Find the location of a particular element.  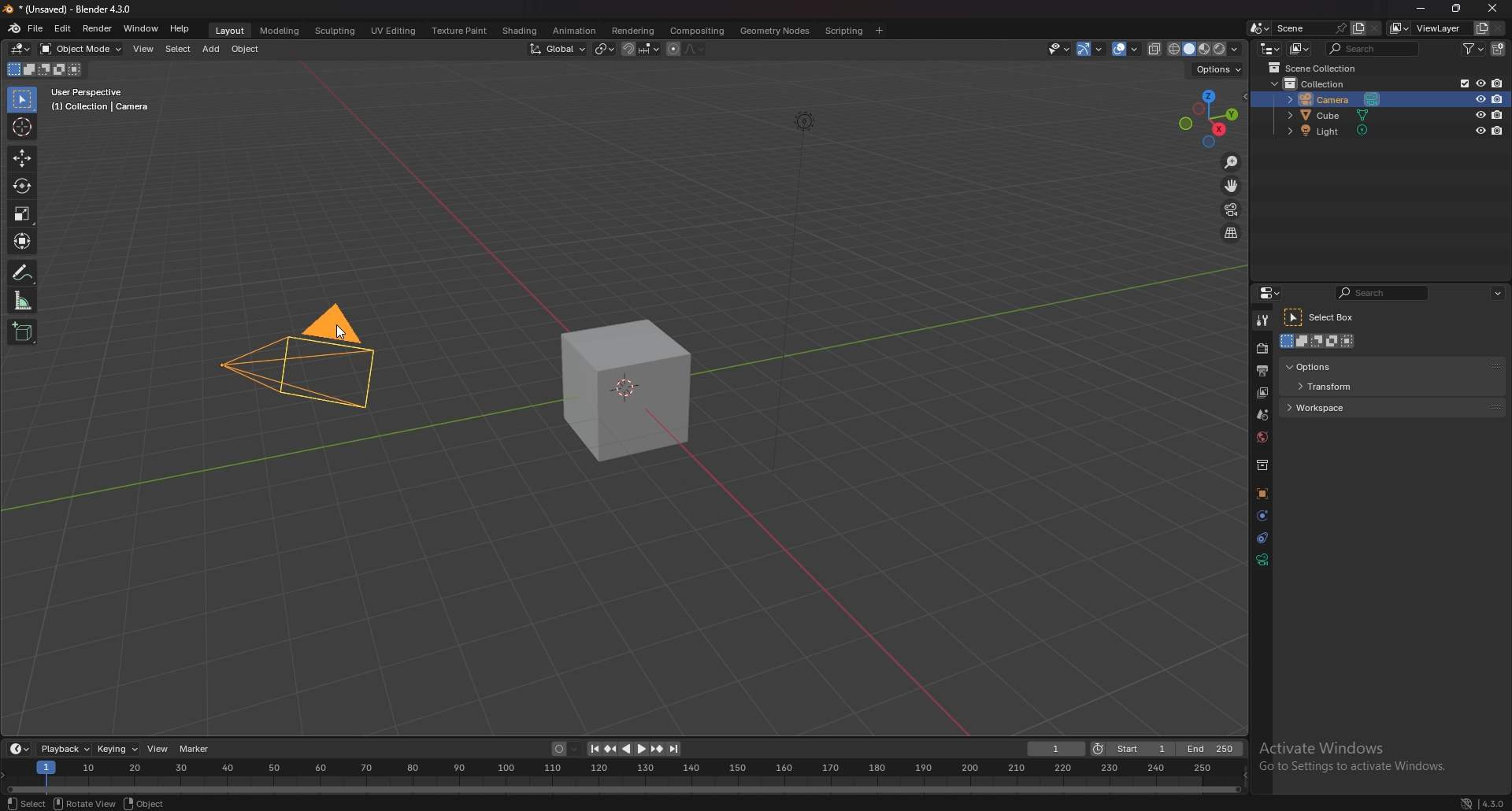

output is located at coordinates (1263, 370).